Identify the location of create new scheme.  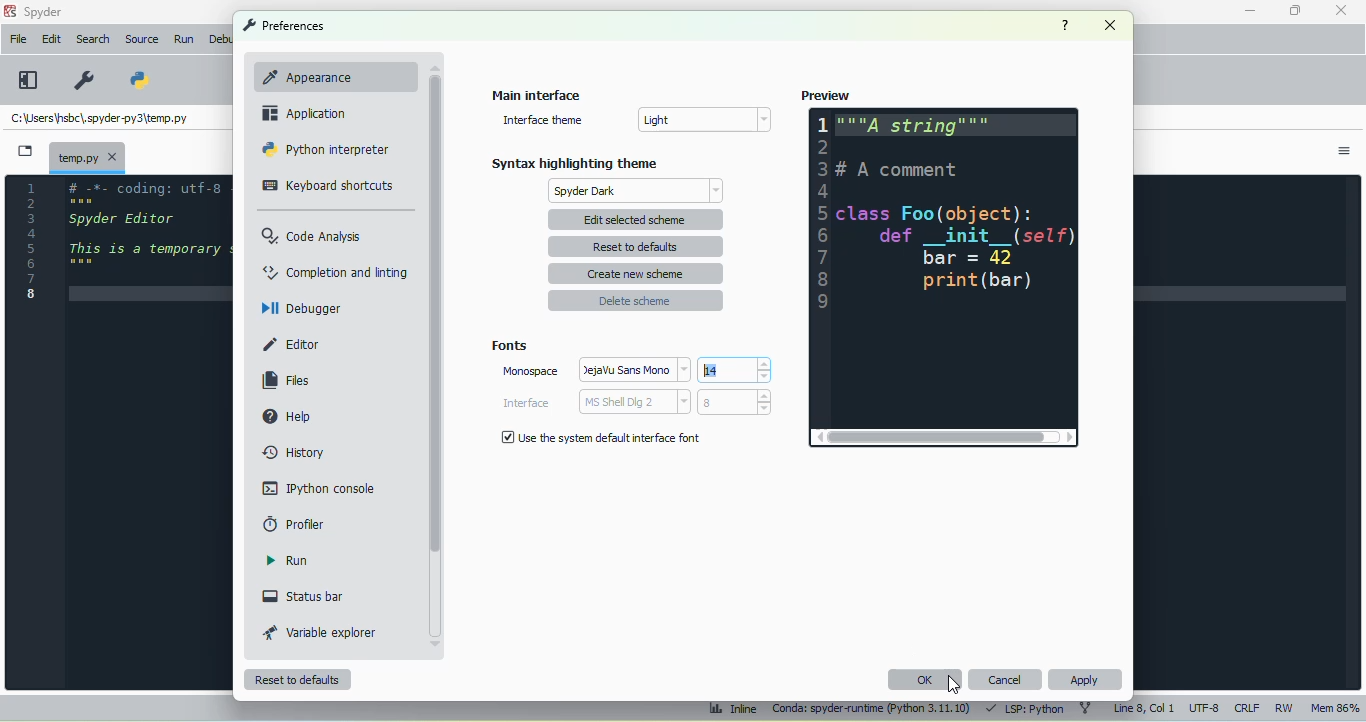
(636, 274).